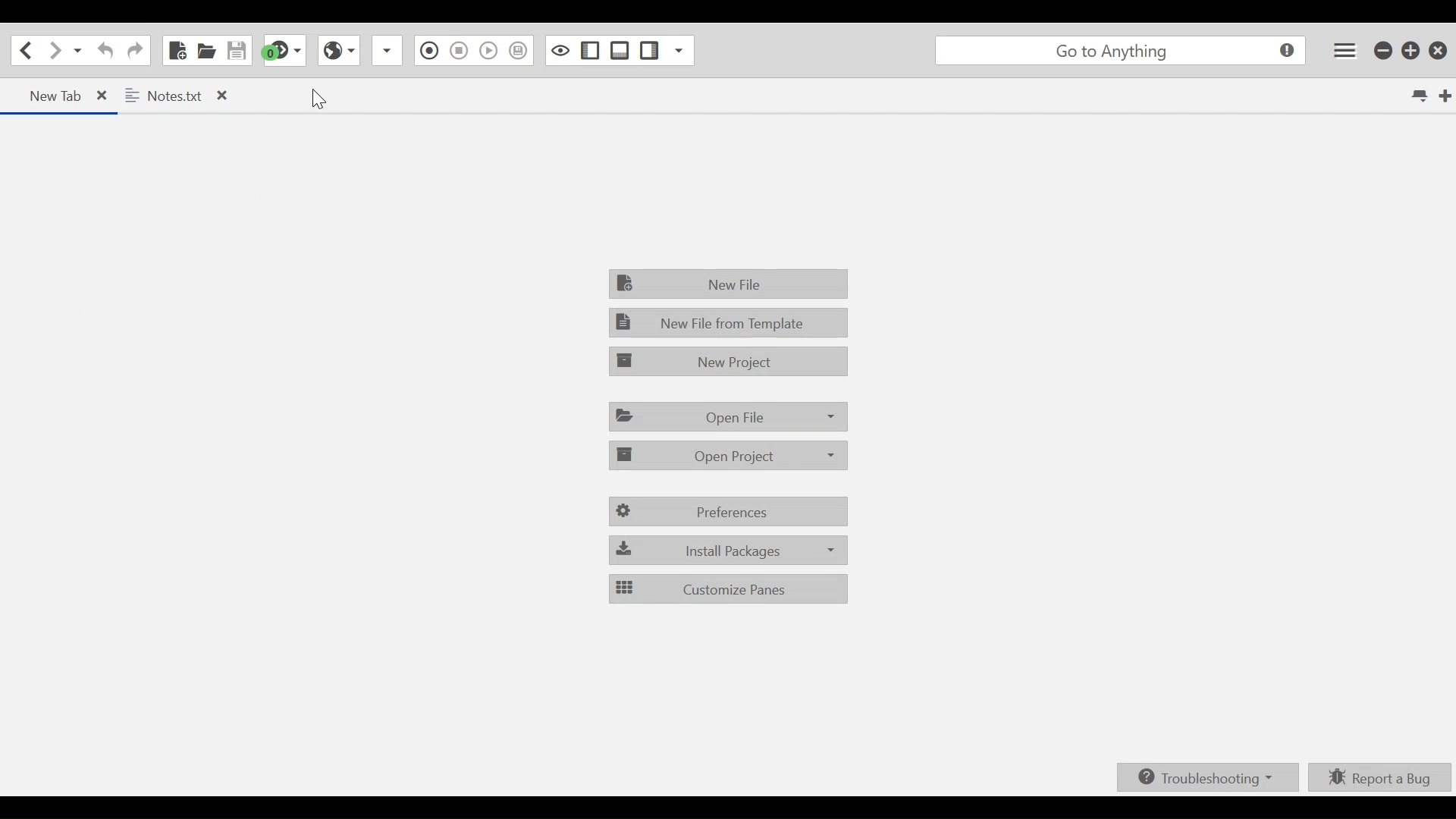 Image resolution: width=1456 pixels, height=819 pixels. I want to click on Jump to next Syntax checking result, so click(283, 50).